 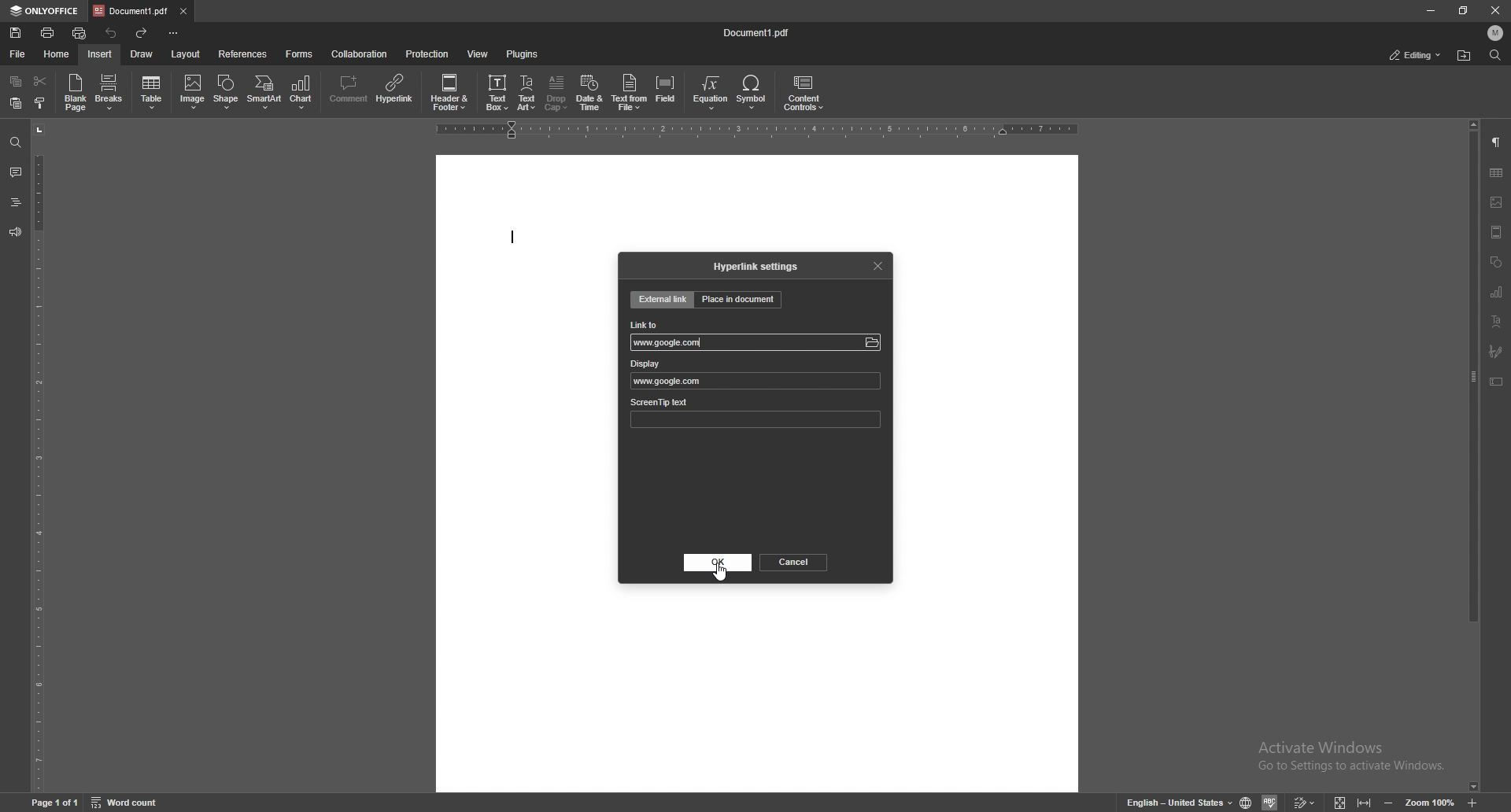 I want to click on place in document, so click(x=738, y=299).